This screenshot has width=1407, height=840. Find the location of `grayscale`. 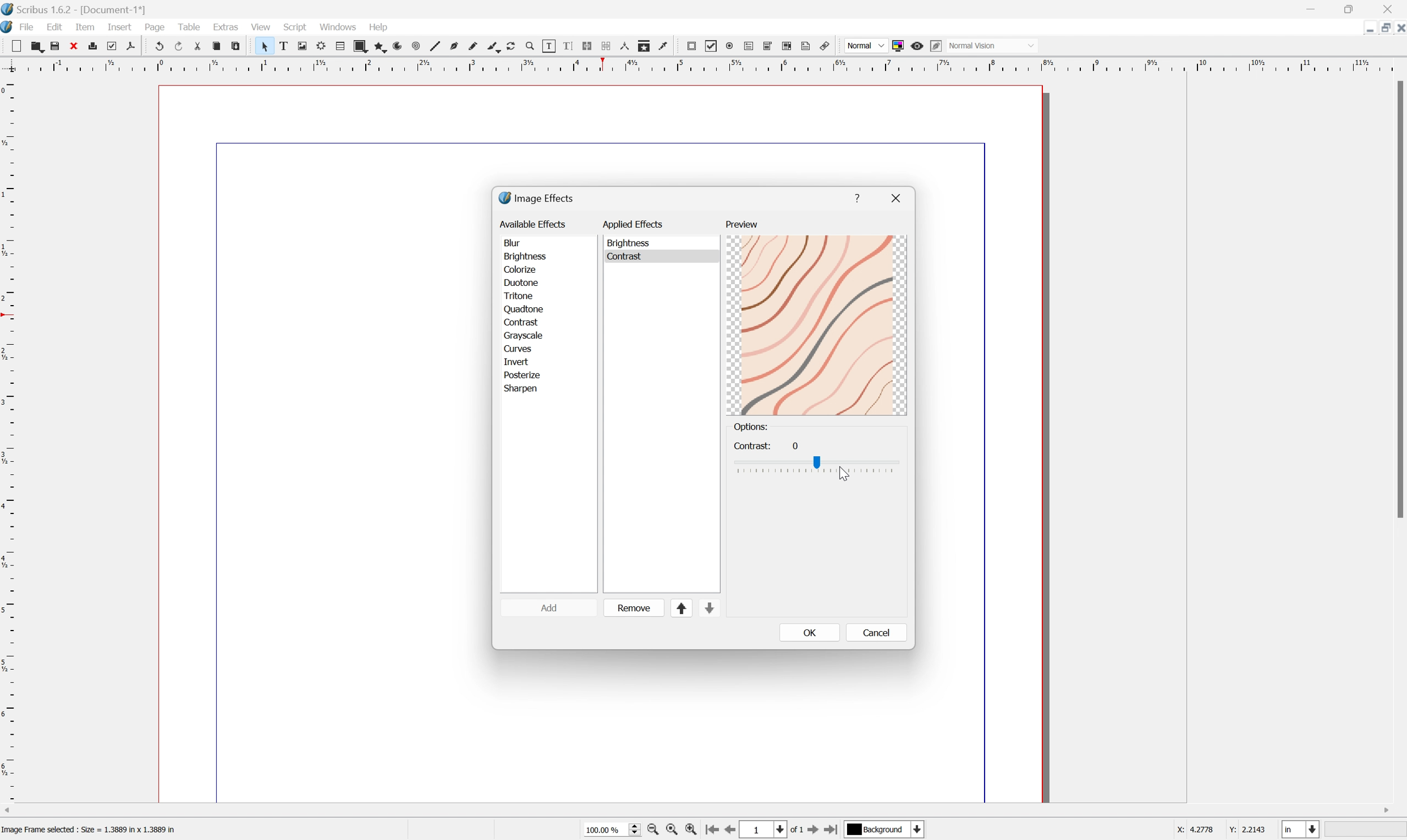

grayscale is located at coordinates (524, 335).